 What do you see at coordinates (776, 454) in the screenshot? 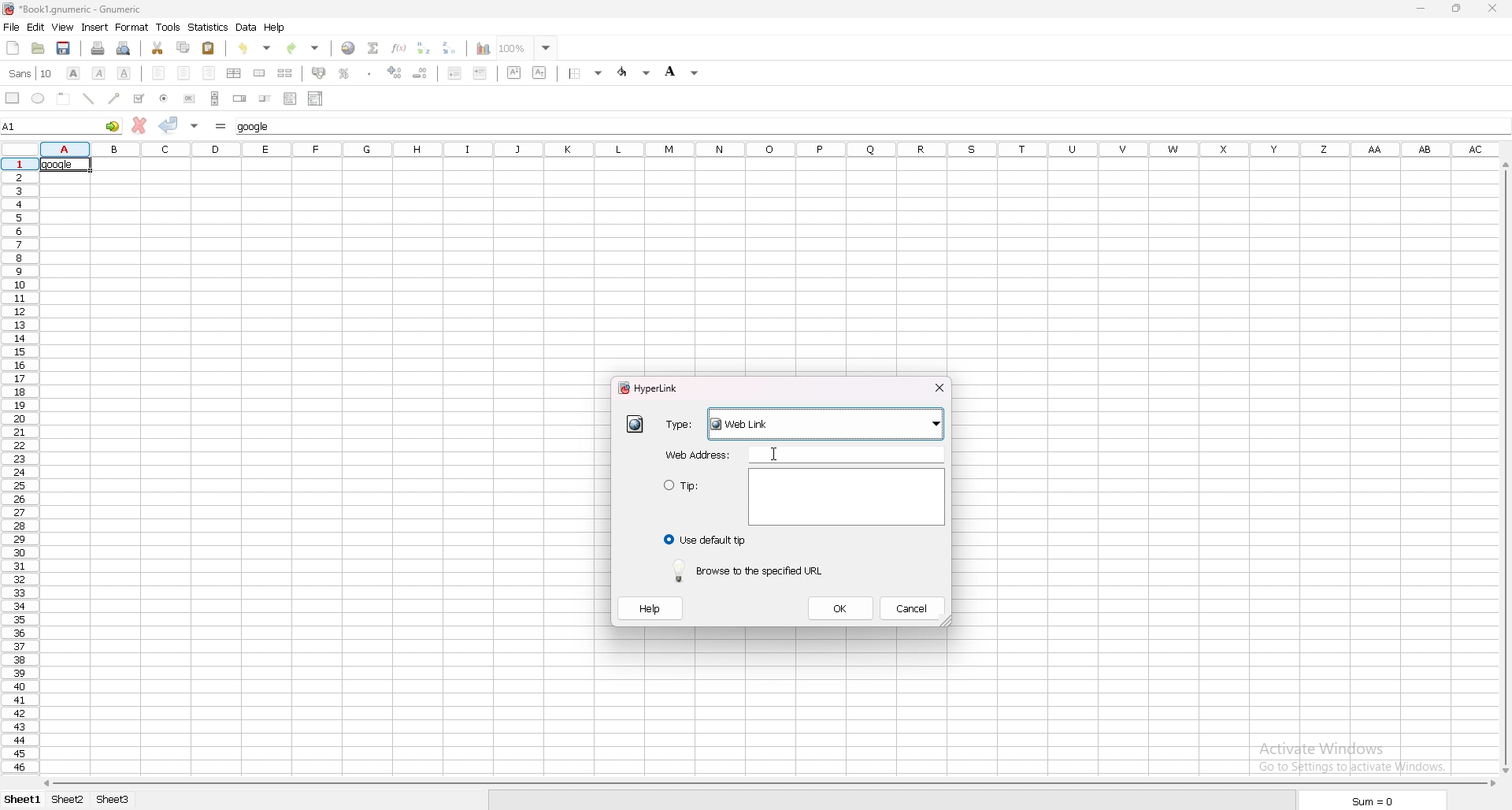
I see `cursor` at bounding box center [776, 454].